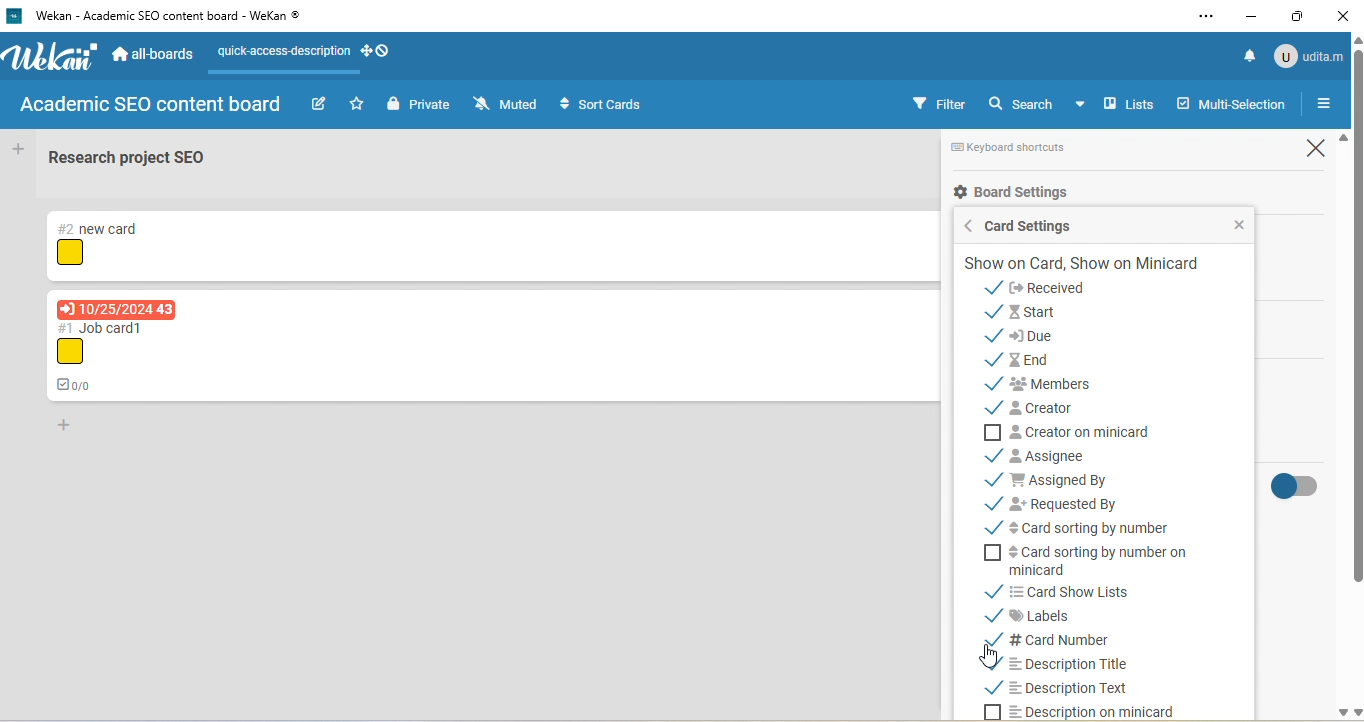 The height and width of the screenshot is (722, 1364). I want to click on notification, so click(1244, 56).